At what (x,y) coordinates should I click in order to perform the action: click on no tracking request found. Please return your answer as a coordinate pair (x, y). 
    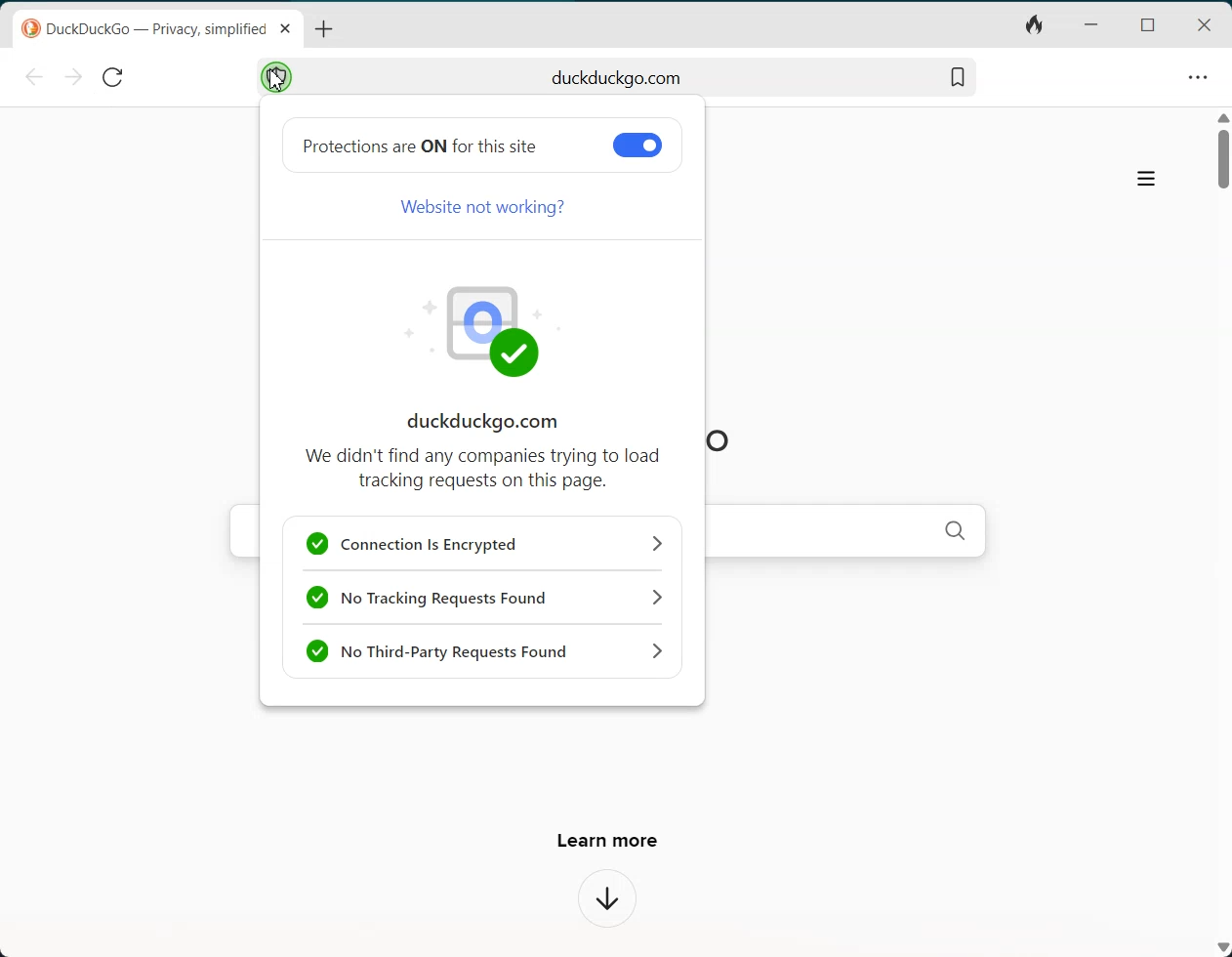
    Looking at the image, I should click on (486, 597).